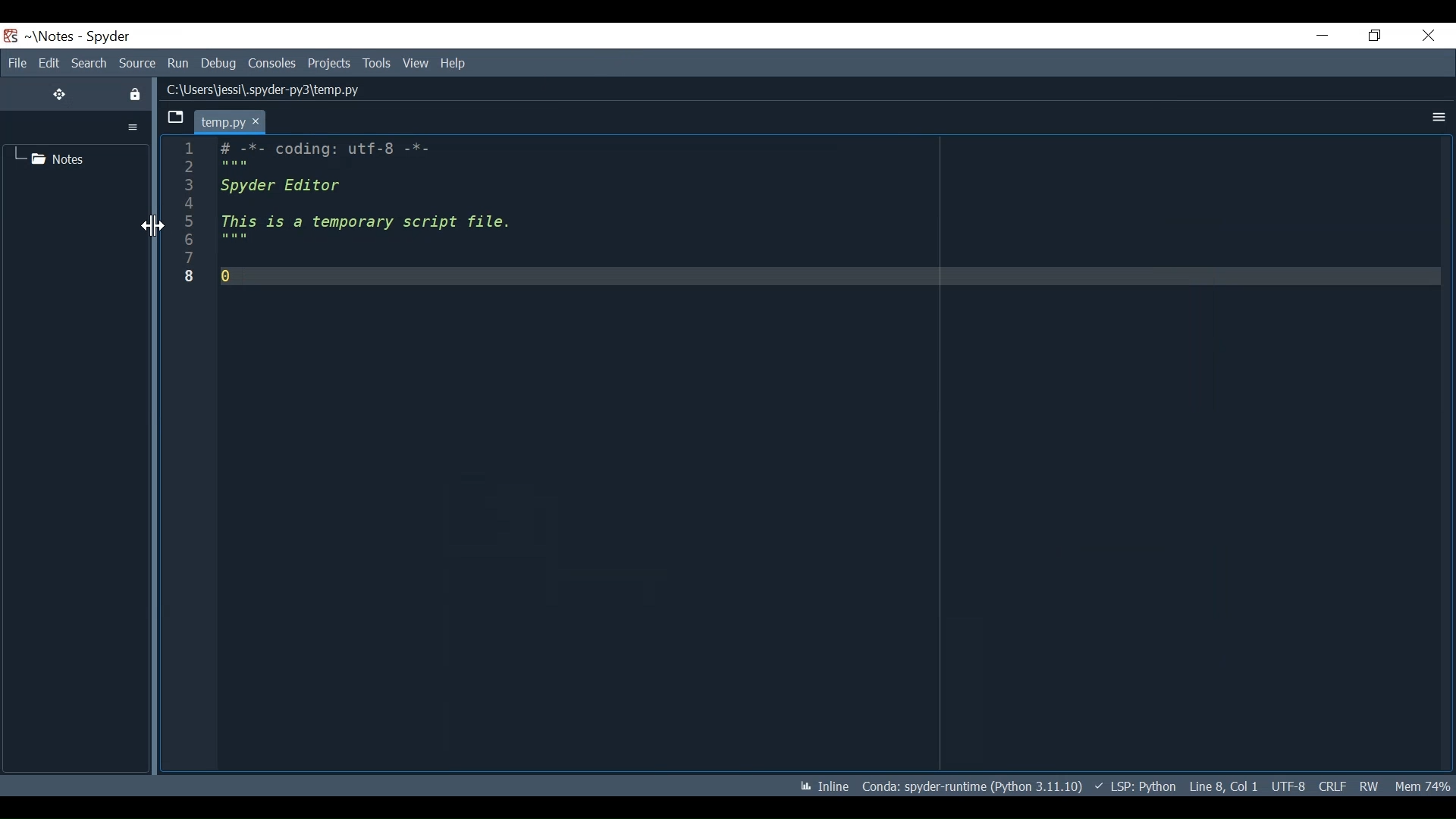  I want to click on Tools, so click(377, 64).